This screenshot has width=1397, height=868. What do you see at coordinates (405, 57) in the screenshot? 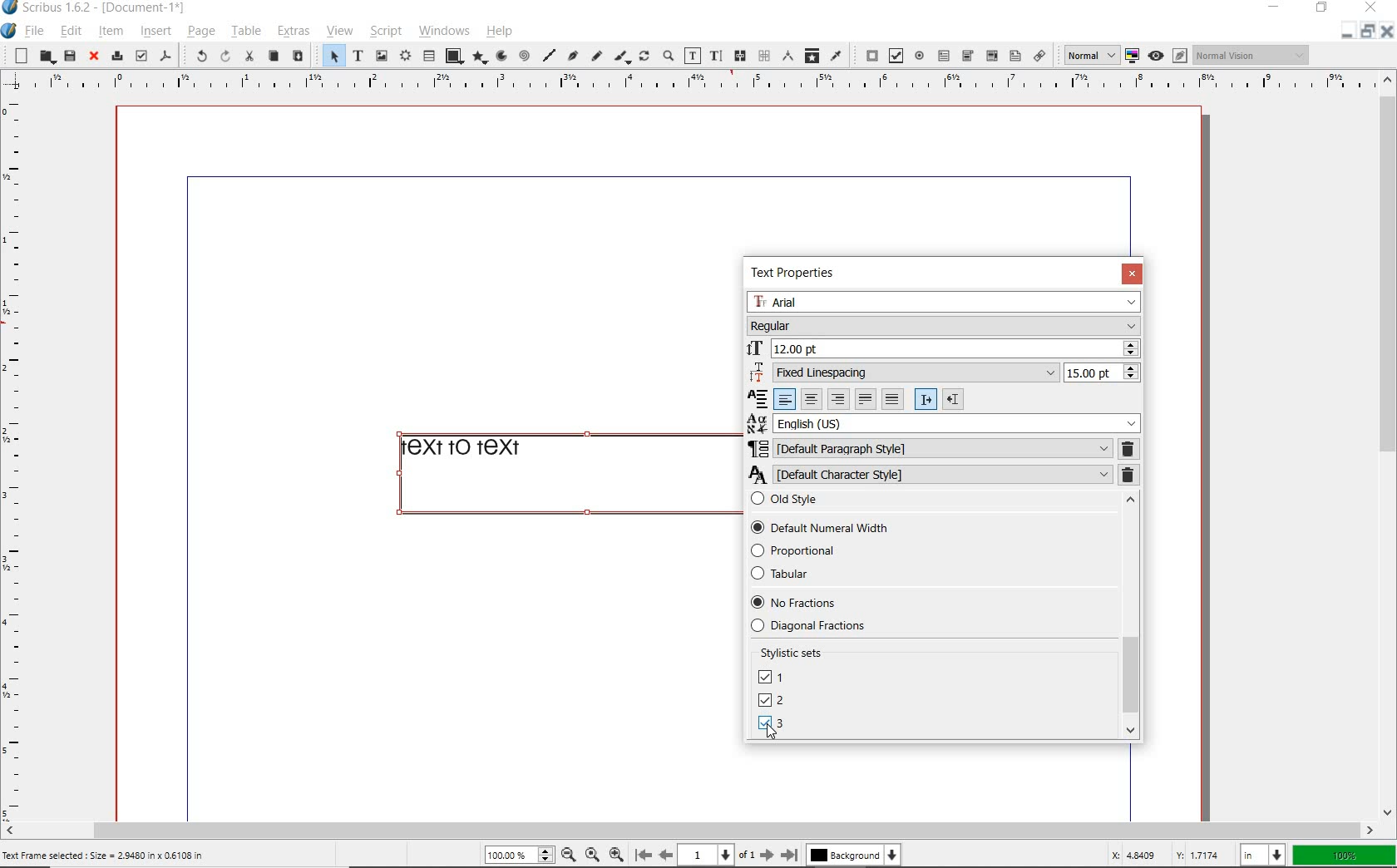
I see `render frame` at bounding box center [405, 57].